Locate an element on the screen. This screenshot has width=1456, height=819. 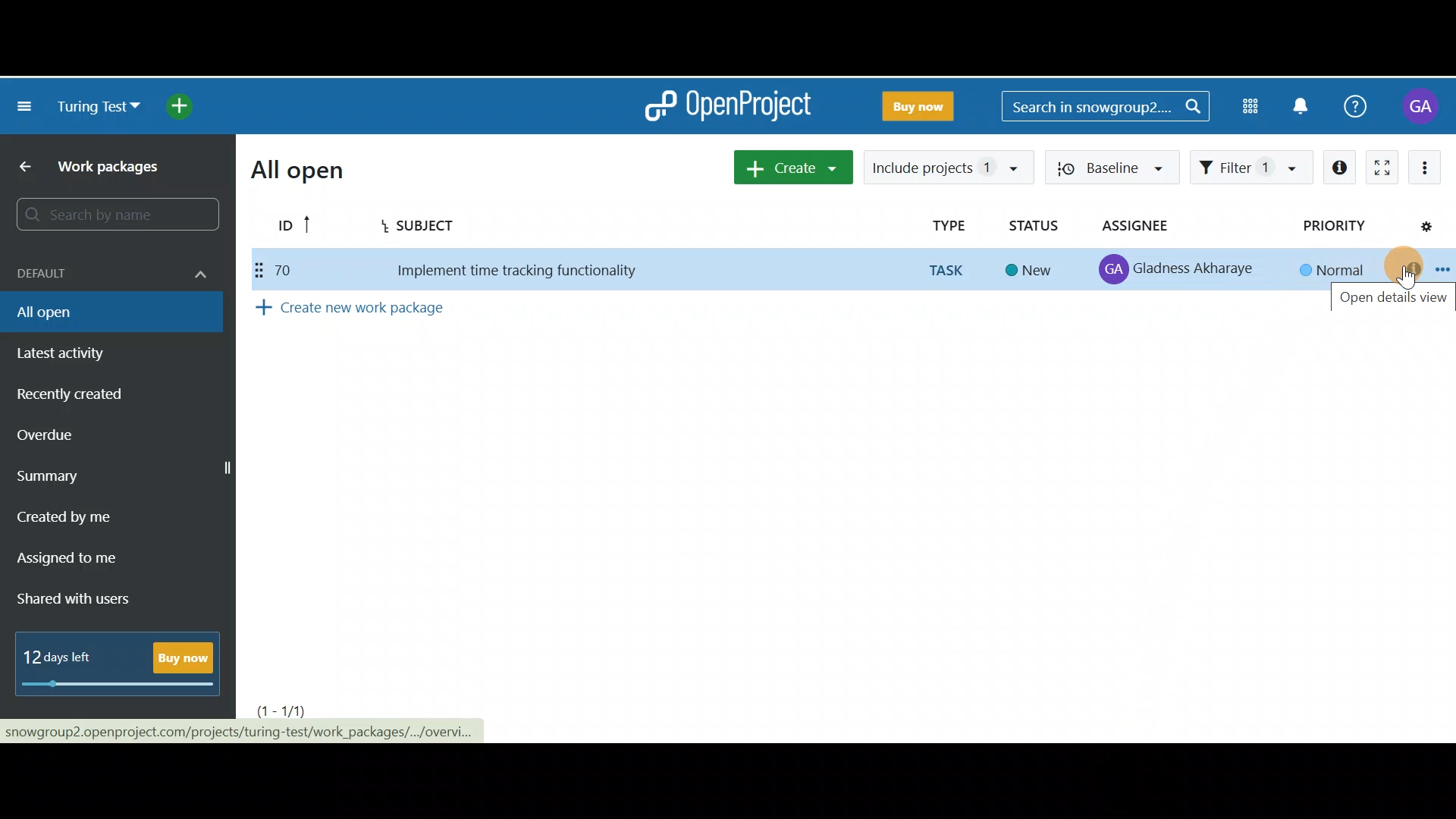
Created by me is located at coordinates (100, 522).